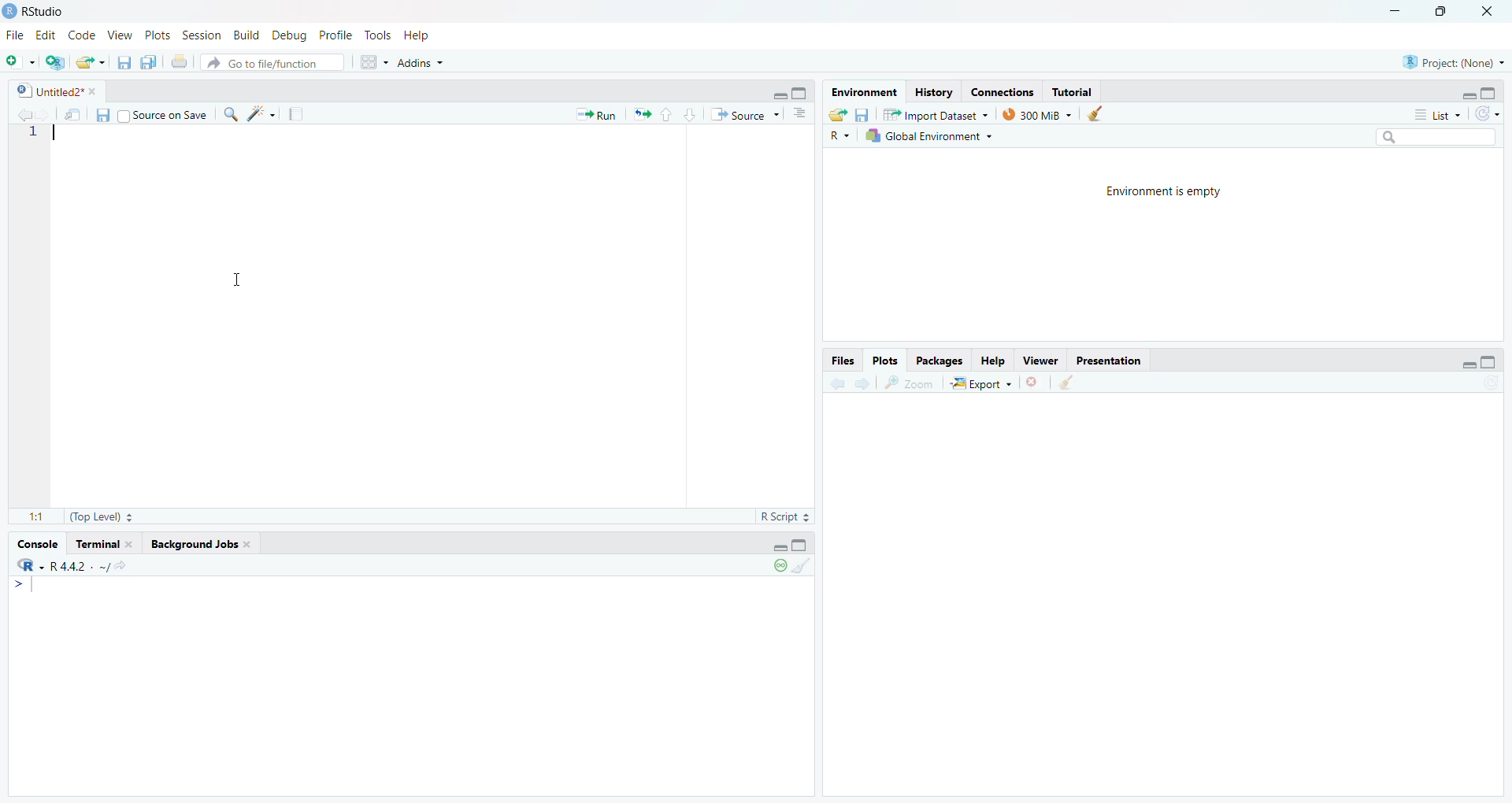 This screenshot has width=1512, height=803. I want to click on hide console, so click(800, 94).